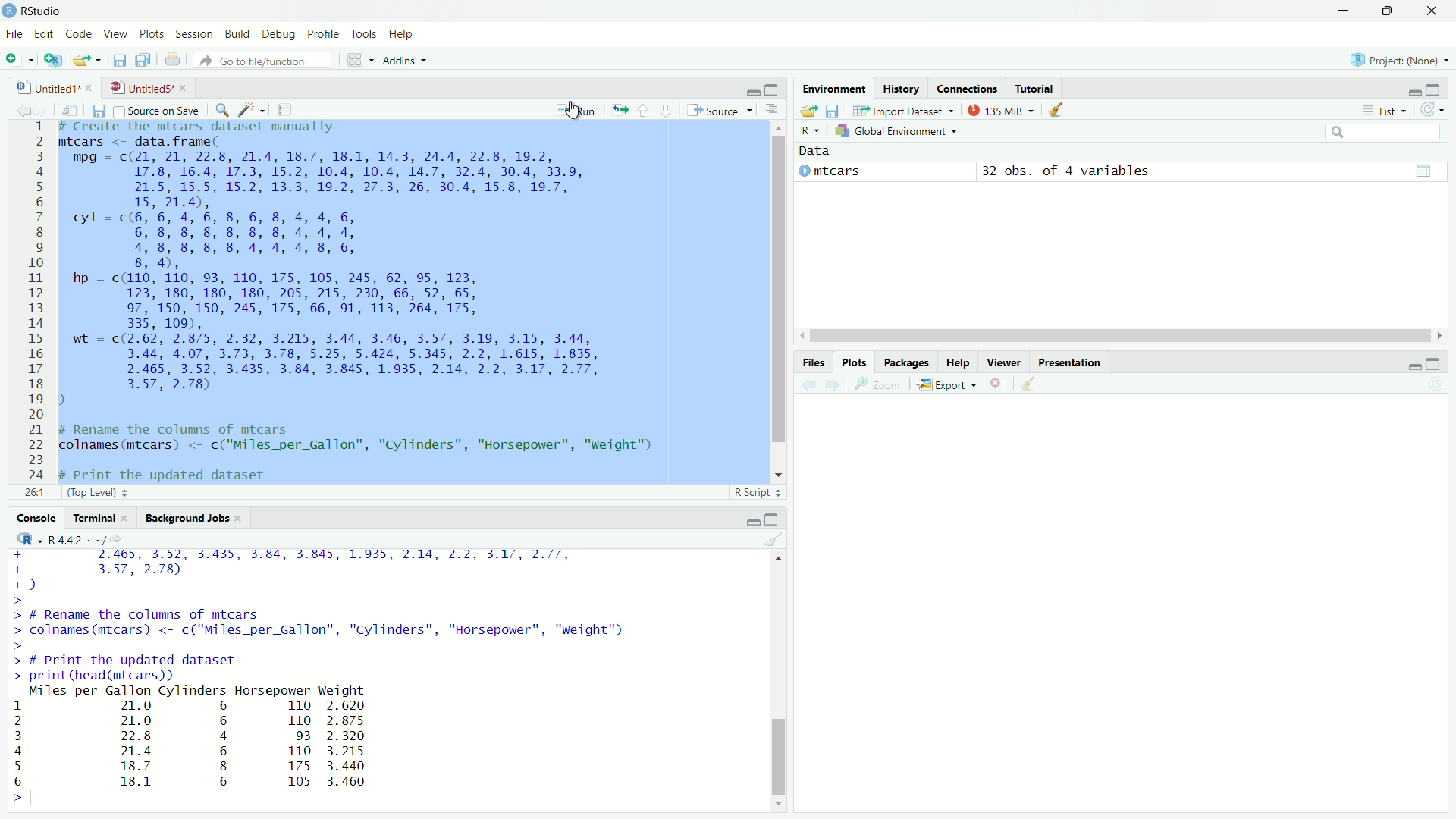 Image resolution: width=1456 pixels, height=819 pixels. What do you see at coordinates (1000, 111) in the screenshot?
I see `133MiB ~` at bounding box center [1000, 111].